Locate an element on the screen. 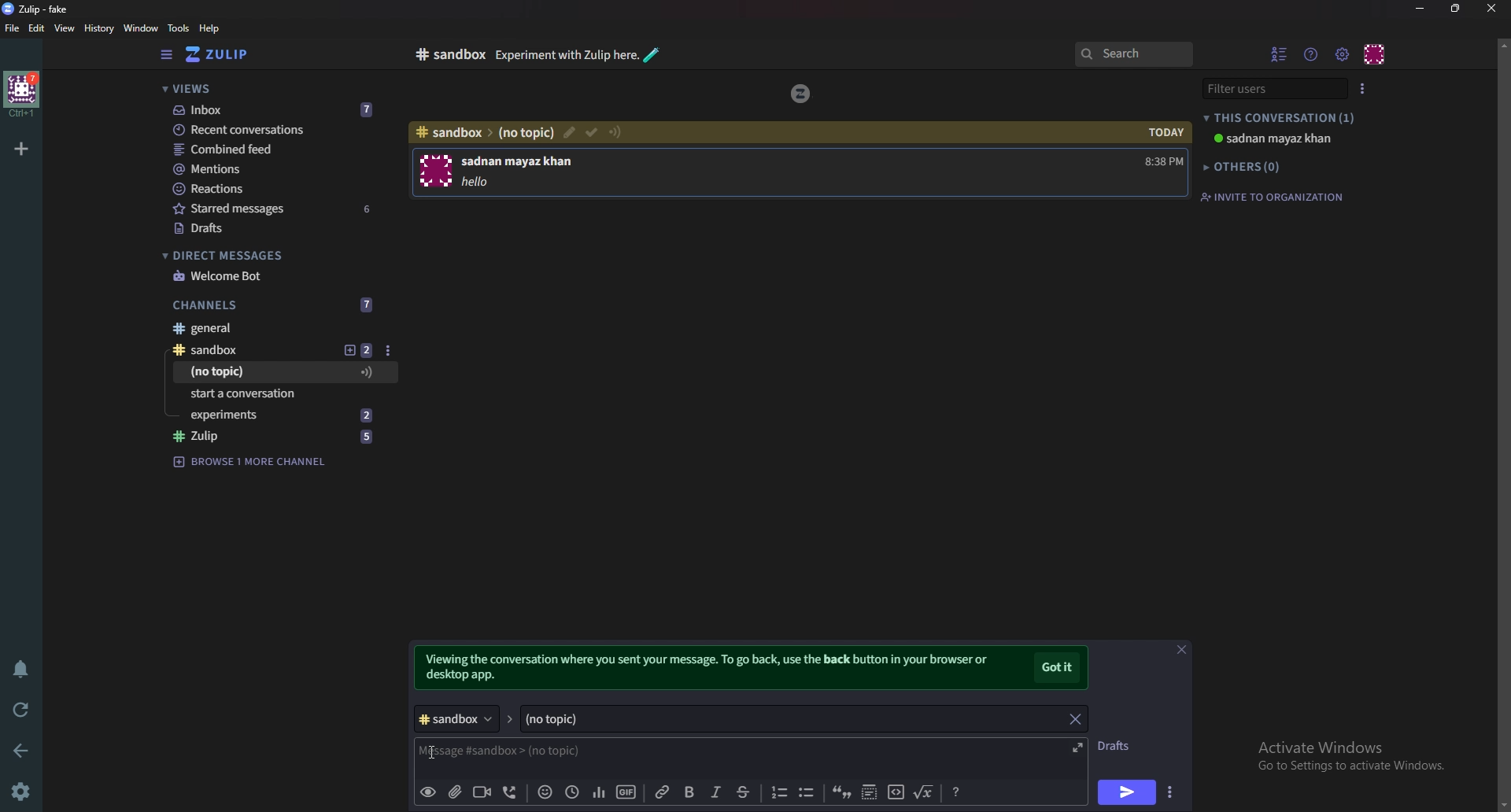 This screenshot has width=1511, height=812. Hide user list is located at coordinates (1278, 52).